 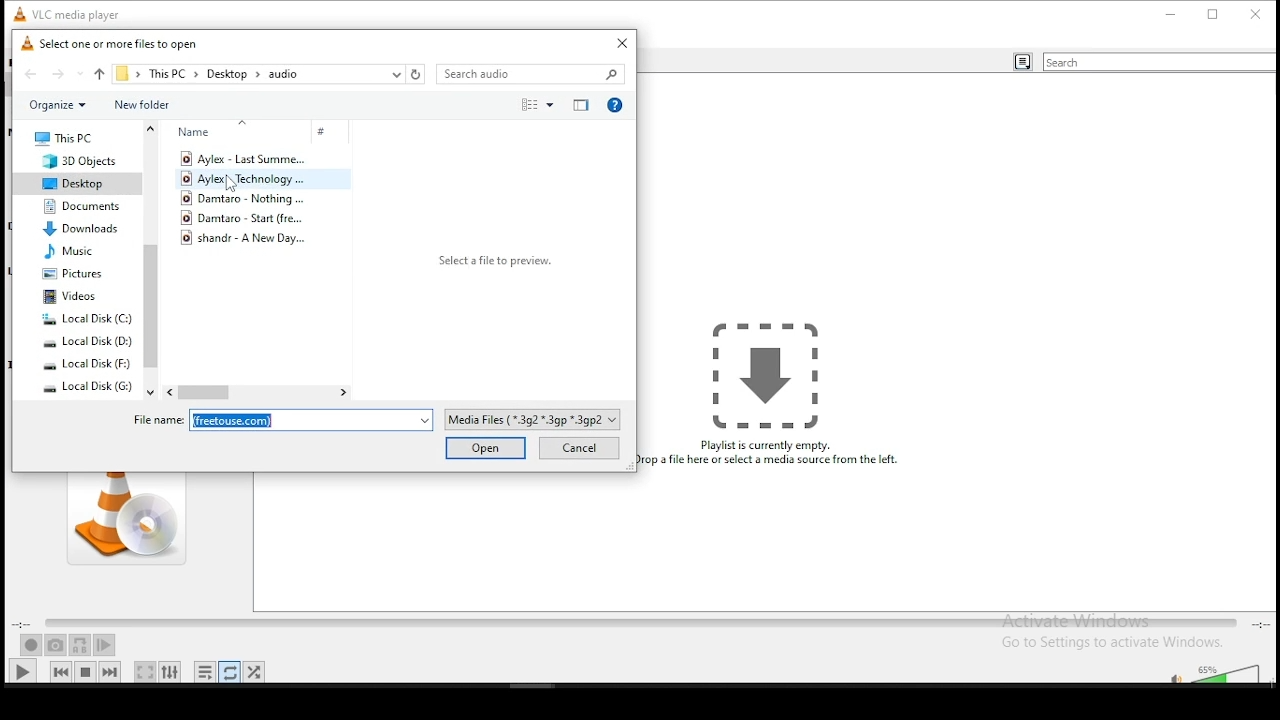 I want to click on volume, so click(x=1230, y=673).